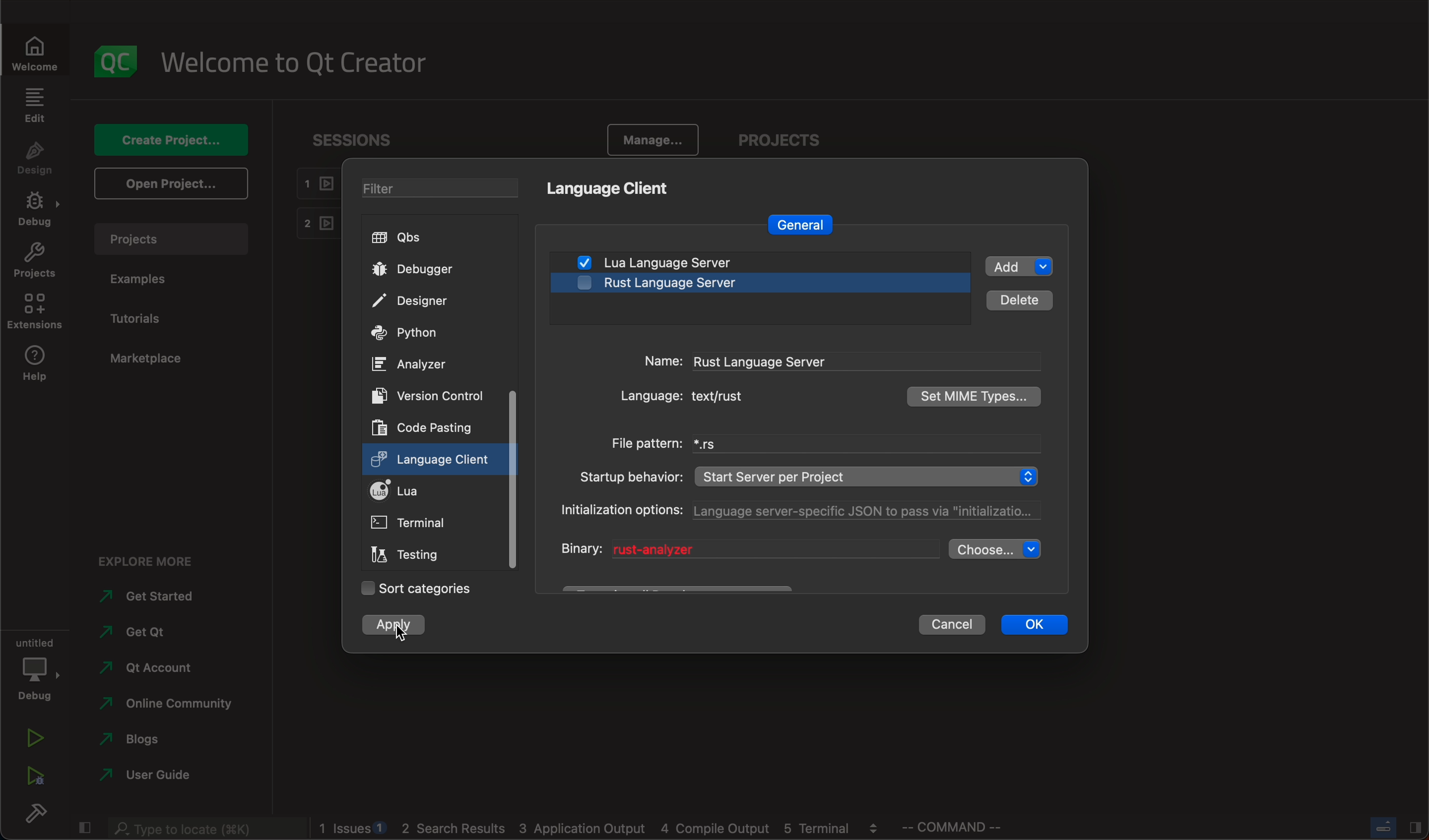 This screenshot has height=840, width=1429. I want to click on command, so click(961, 827).